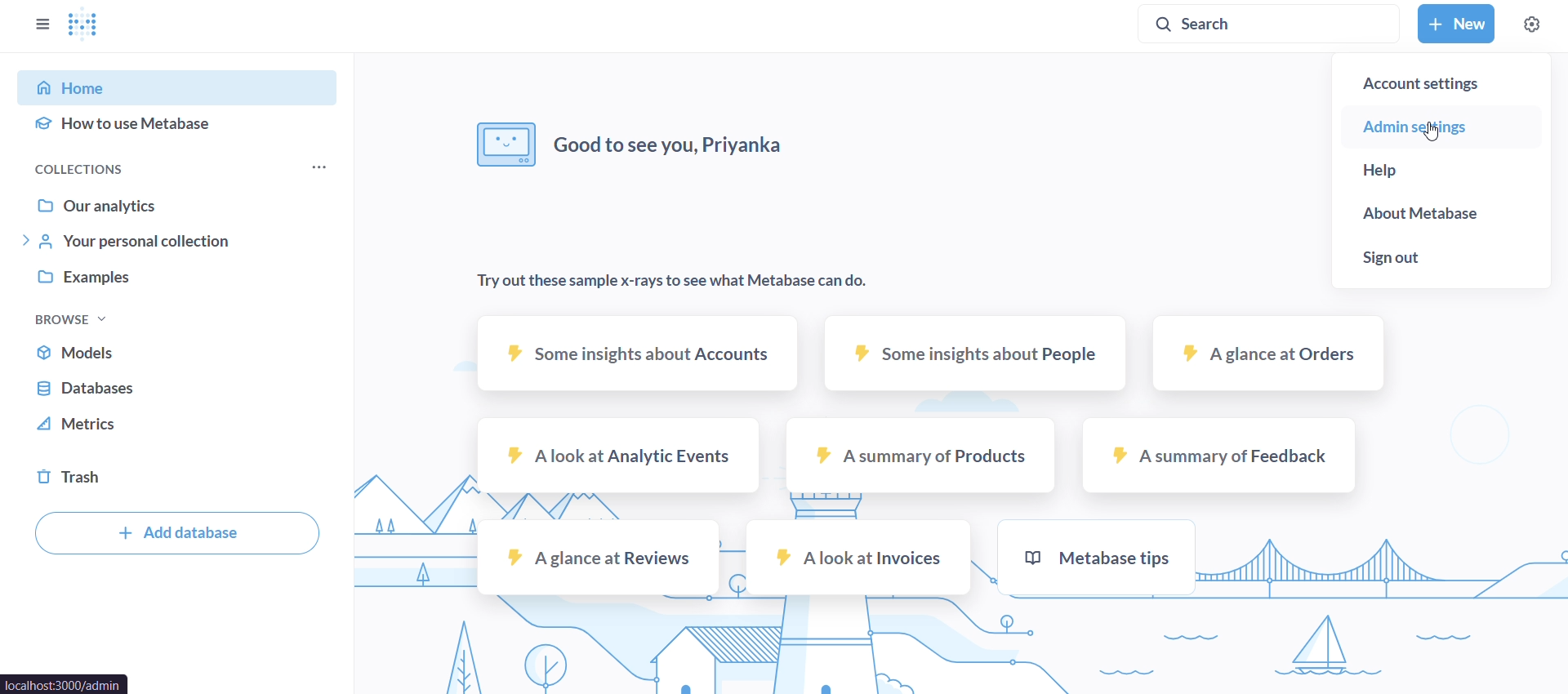 The width and height of the screenshot is (1568, 694). I want to click on our analytics, so click(183, 204).